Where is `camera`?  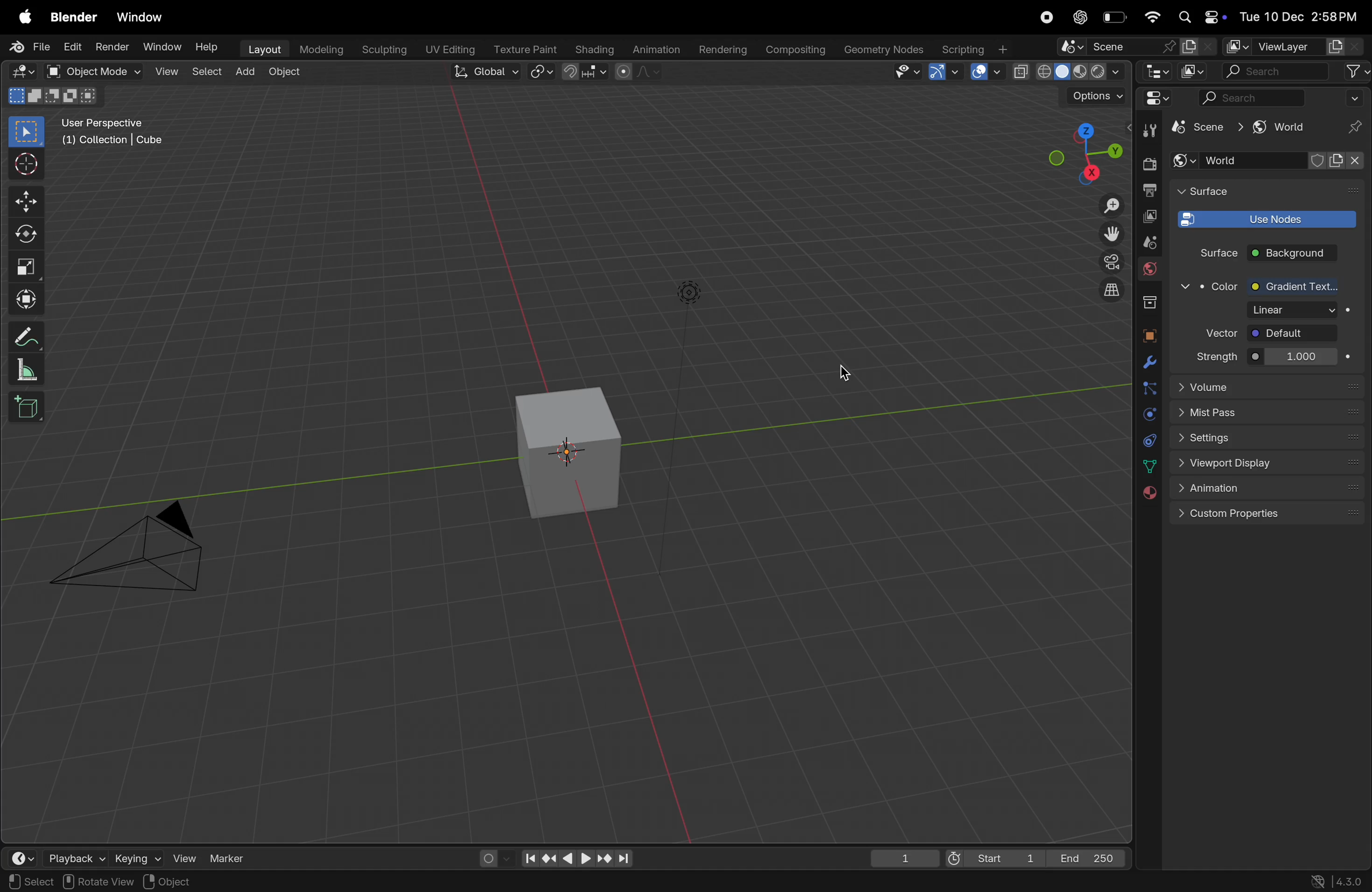
camera is located at coordinates (1108, 262).